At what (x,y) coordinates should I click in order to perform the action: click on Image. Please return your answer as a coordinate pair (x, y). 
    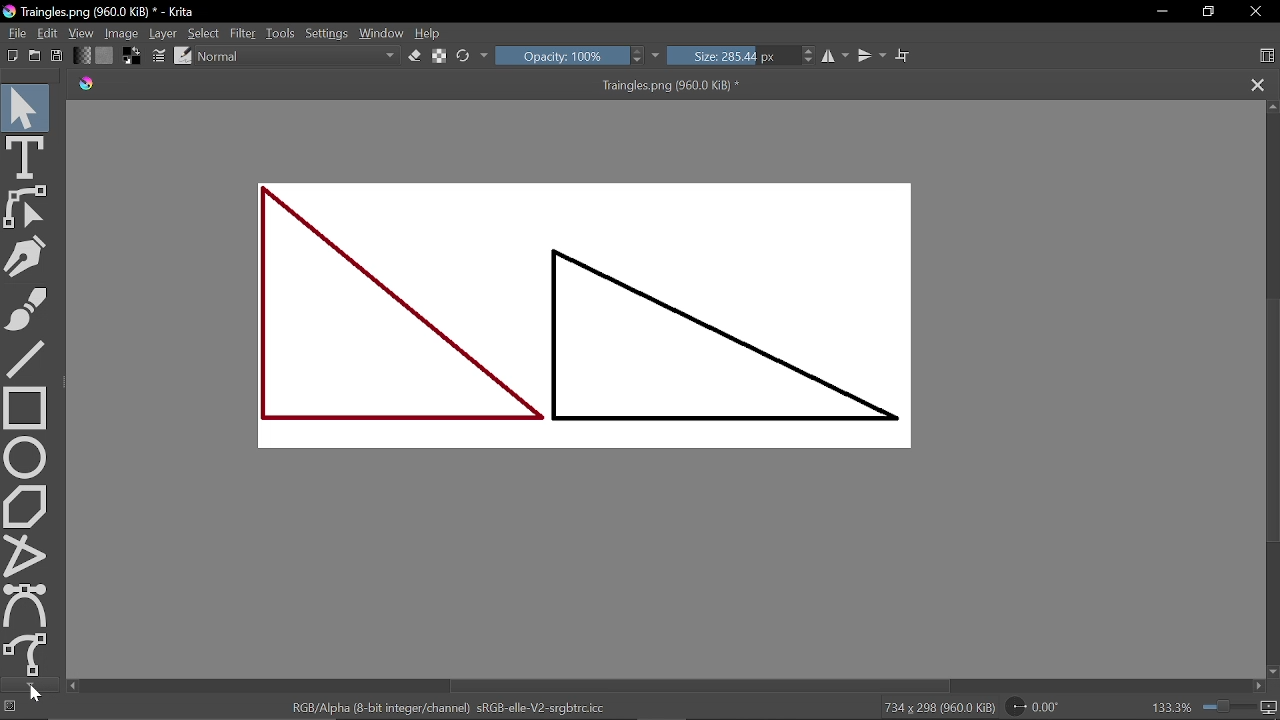
    Looking at the image, I should click on (122, 32).